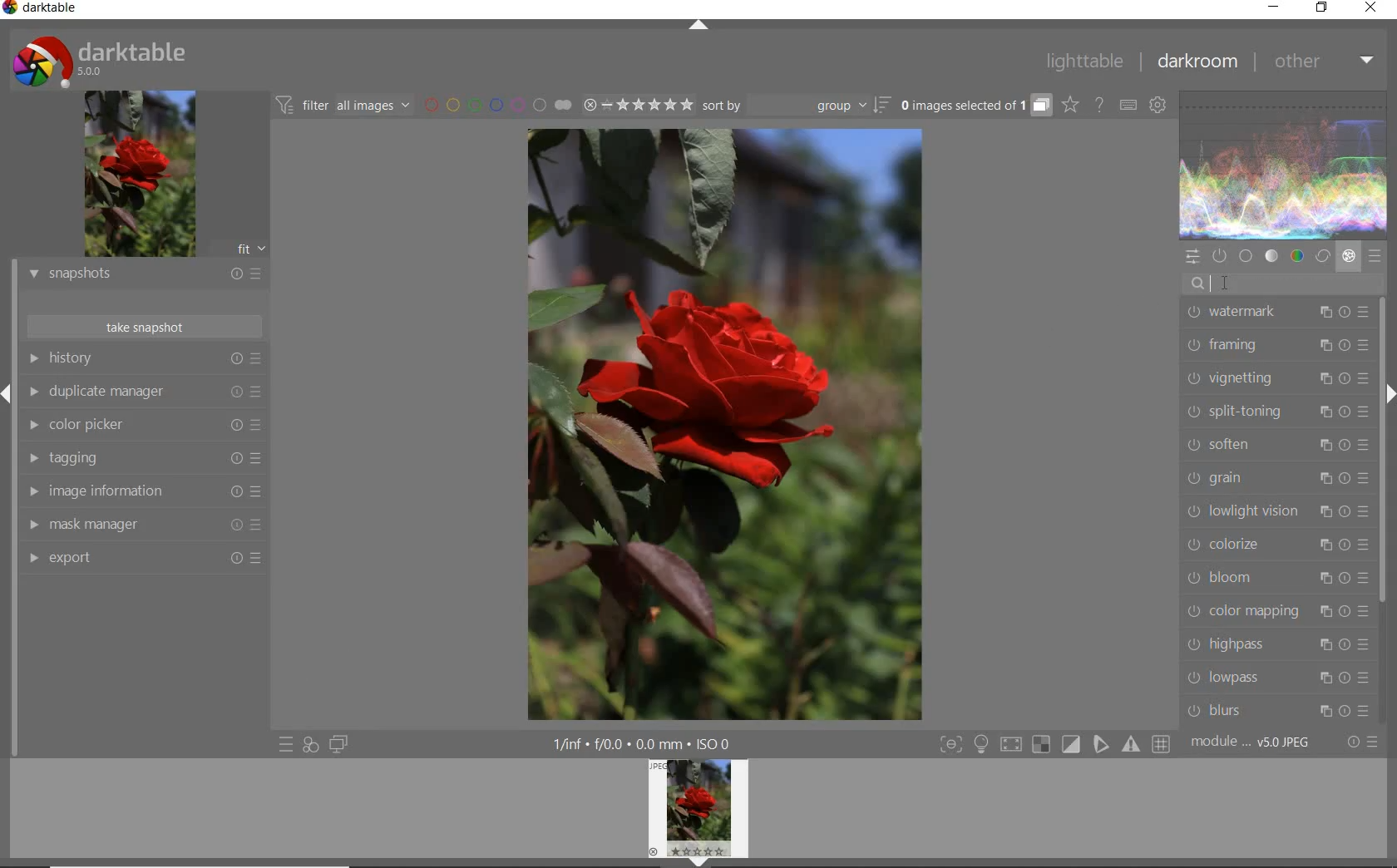  What do you see at coordinates (102, 59) in the screenshot?
I see `system logo` at bounding box center [102, 59].